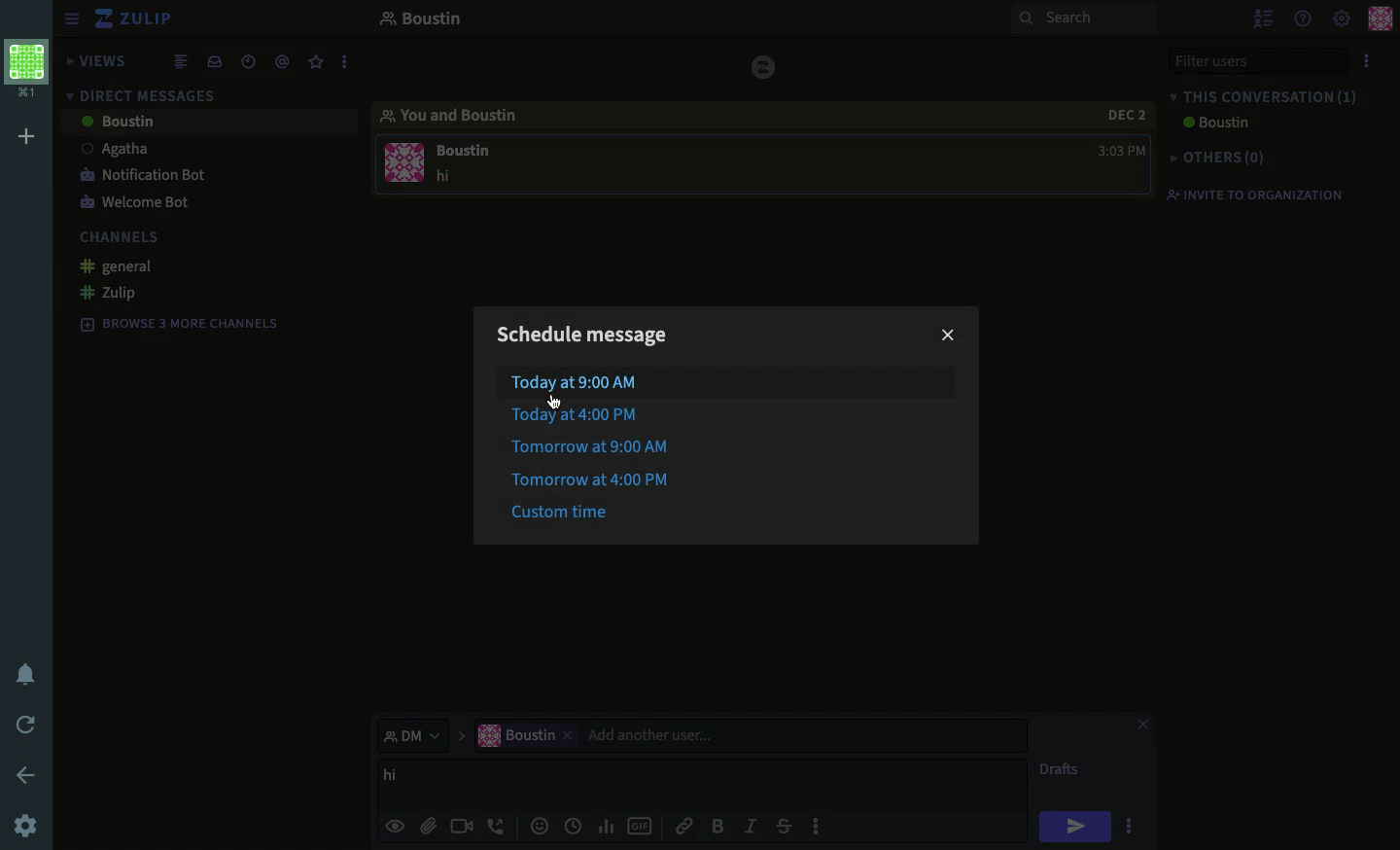  What do you see at coordinates (1132, 830) in the screenshot?
I see `click` at bounding box center [1132, 830].